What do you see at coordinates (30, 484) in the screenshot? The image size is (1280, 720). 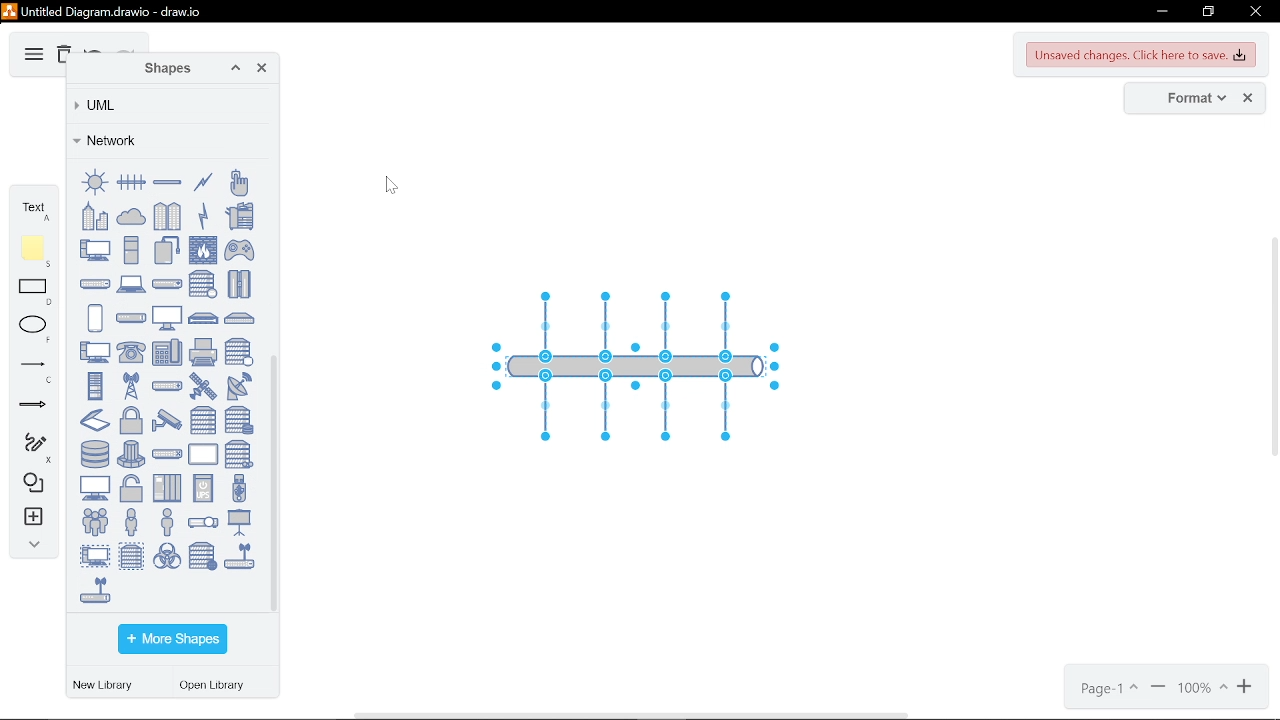 I see `shapes` at bounding box center [30, 484].